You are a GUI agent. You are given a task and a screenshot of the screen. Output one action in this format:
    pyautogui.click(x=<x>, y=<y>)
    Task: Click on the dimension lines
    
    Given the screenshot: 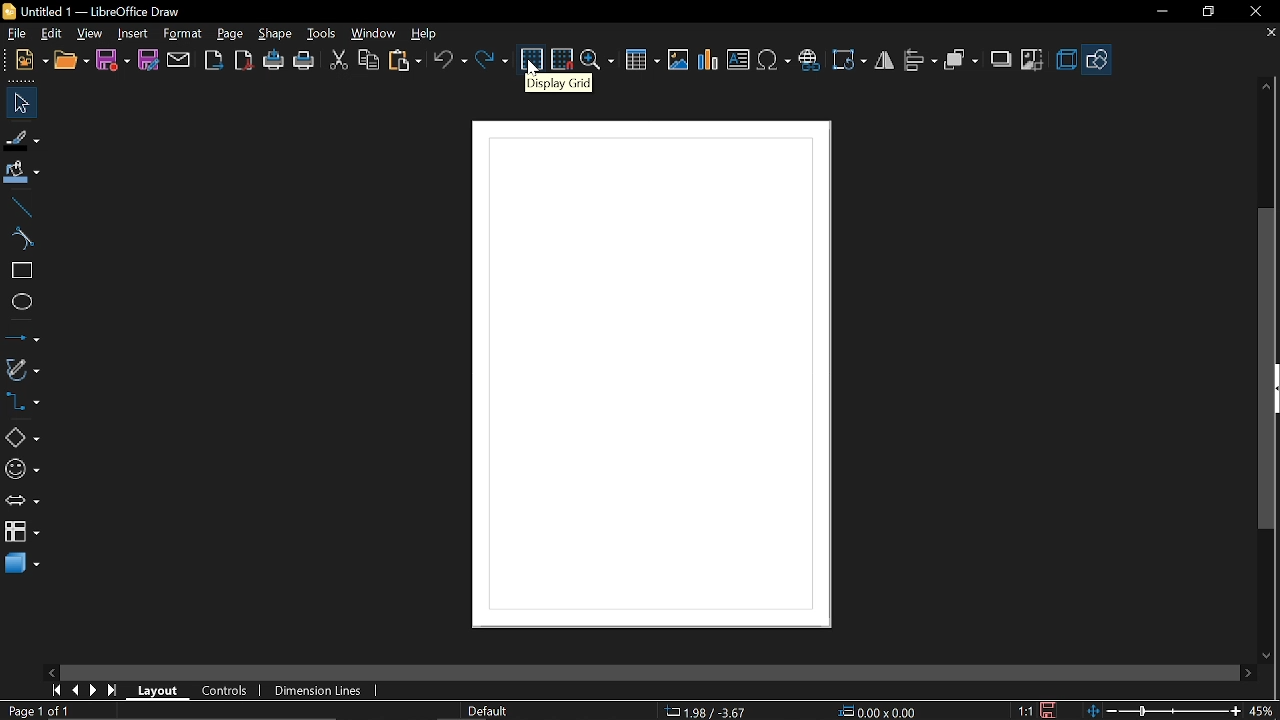 What is the action you would take?
    pyautogui.click(x=323, y=691)
    